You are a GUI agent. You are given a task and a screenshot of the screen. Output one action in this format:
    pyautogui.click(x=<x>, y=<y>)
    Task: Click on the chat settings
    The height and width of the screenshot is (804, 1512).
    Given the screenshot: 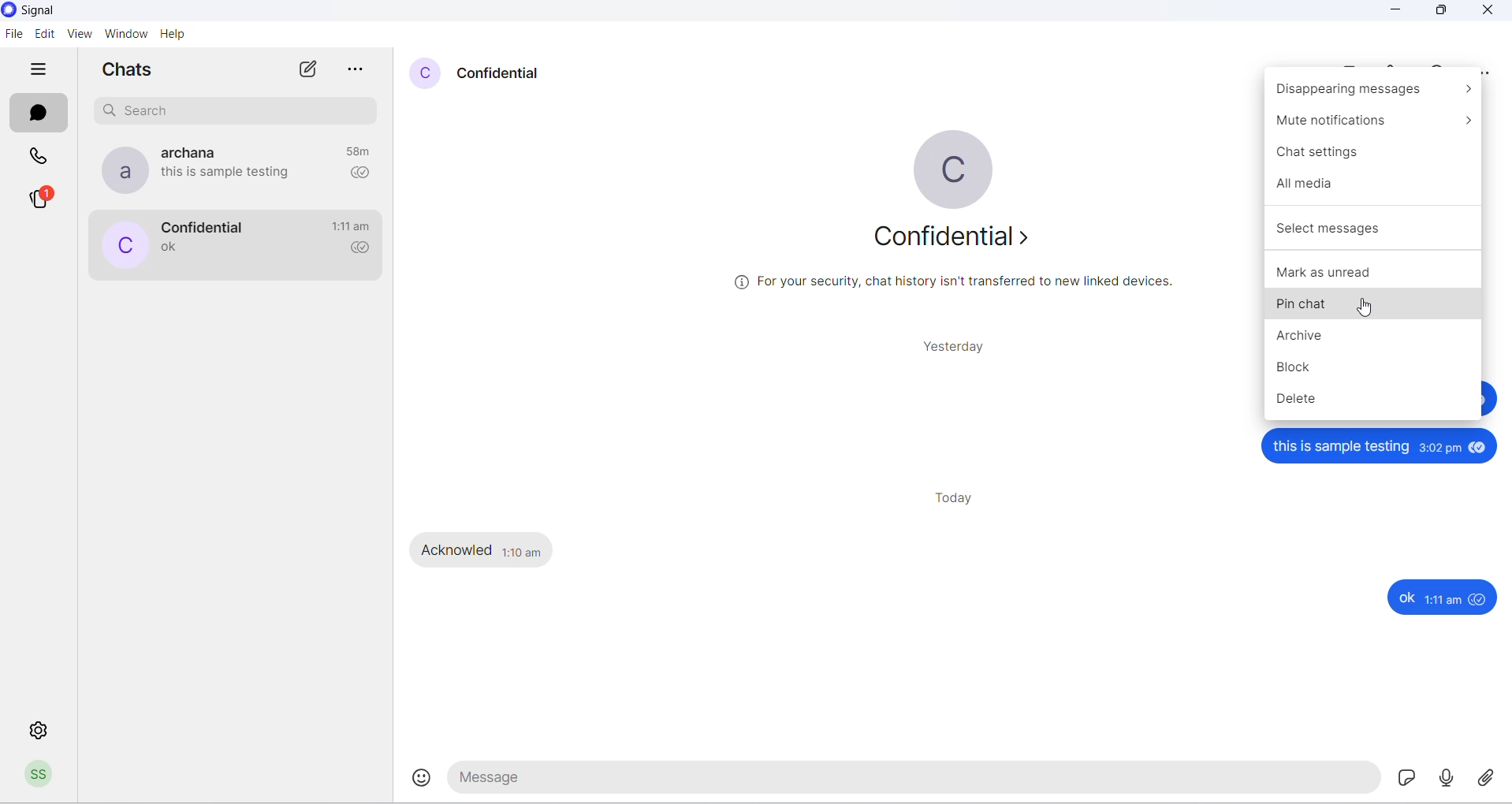 What is the action you would take?
    pyautogui.click(x=1371, y=154)
    